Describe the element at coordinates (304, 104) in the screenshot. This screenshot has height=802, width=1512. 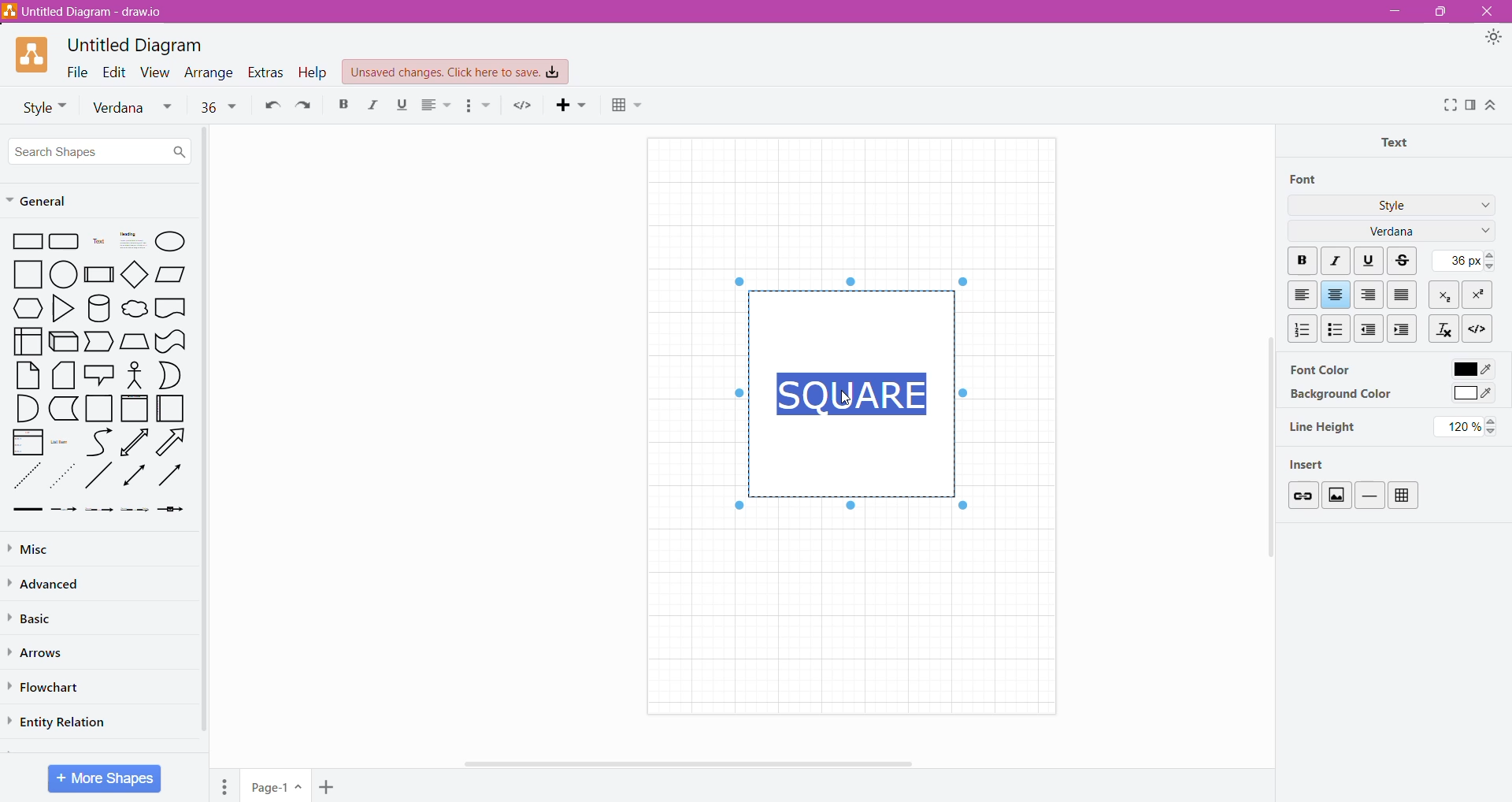
I see `Redo` at that location.